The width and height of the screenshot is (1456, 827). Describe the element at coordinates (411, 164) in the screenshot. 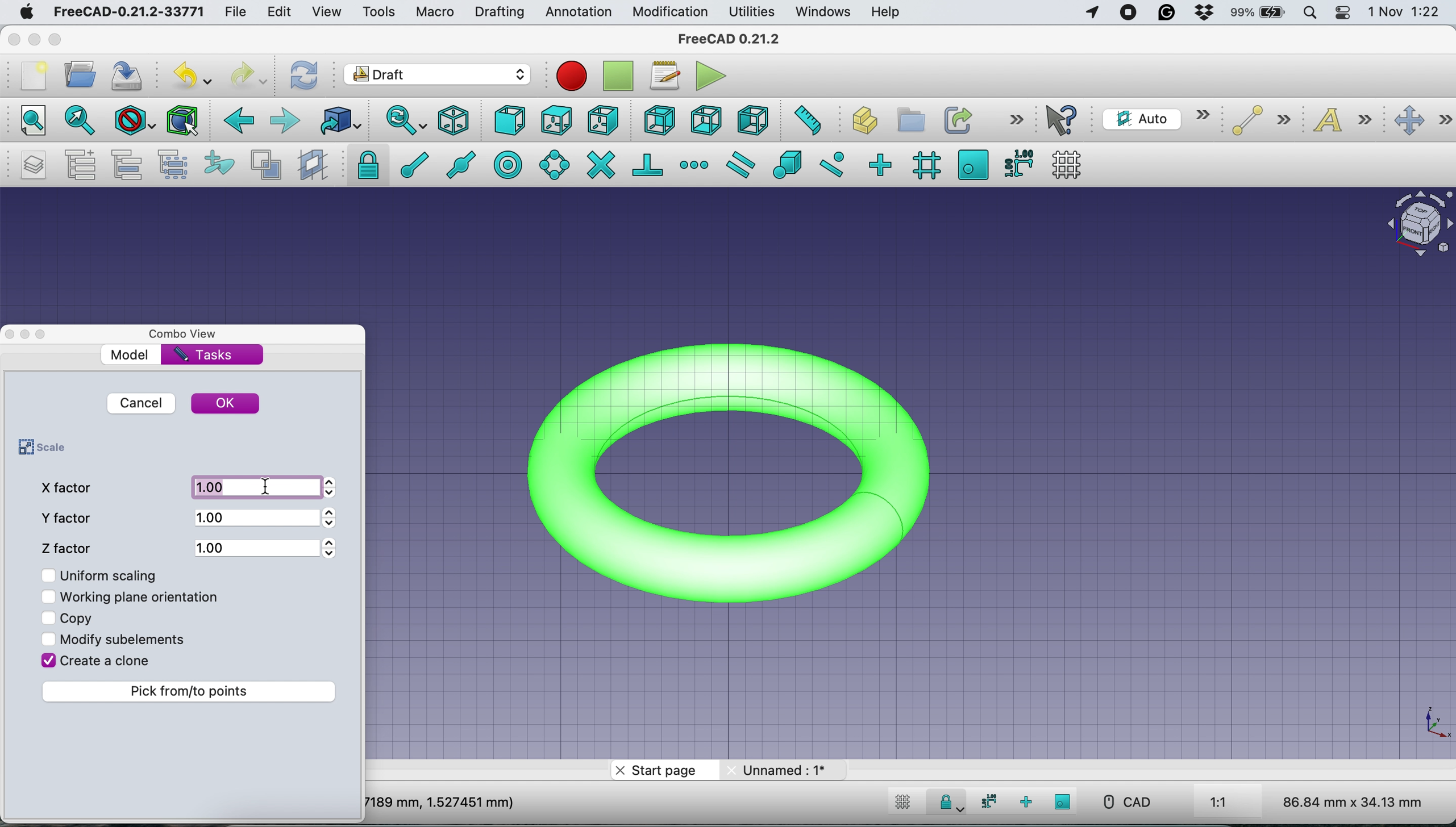

I see `snap endpoint` at that location.